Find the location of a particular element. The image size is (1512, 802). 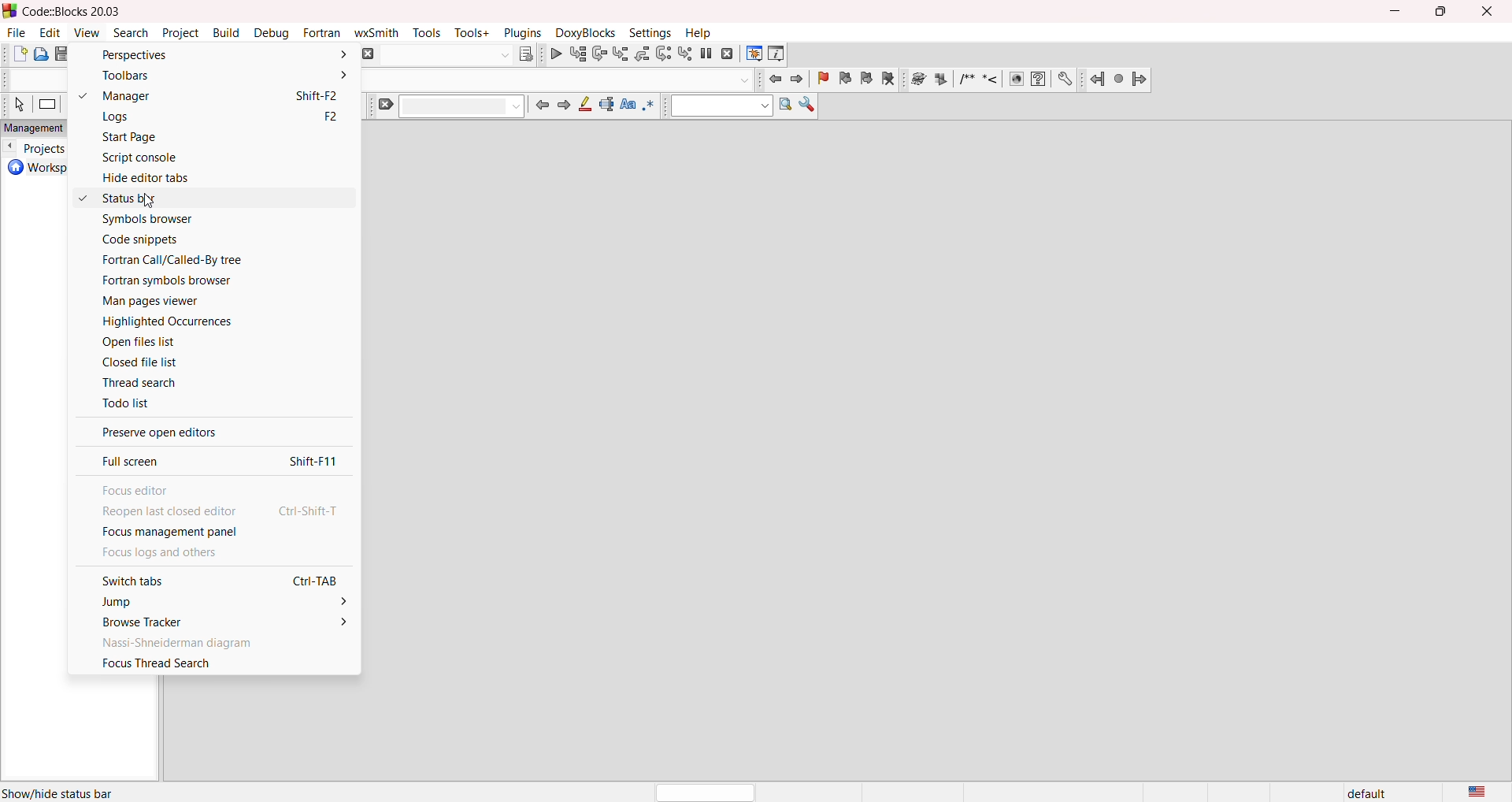

highlighted occurrences is located at coordinates (210, 322).